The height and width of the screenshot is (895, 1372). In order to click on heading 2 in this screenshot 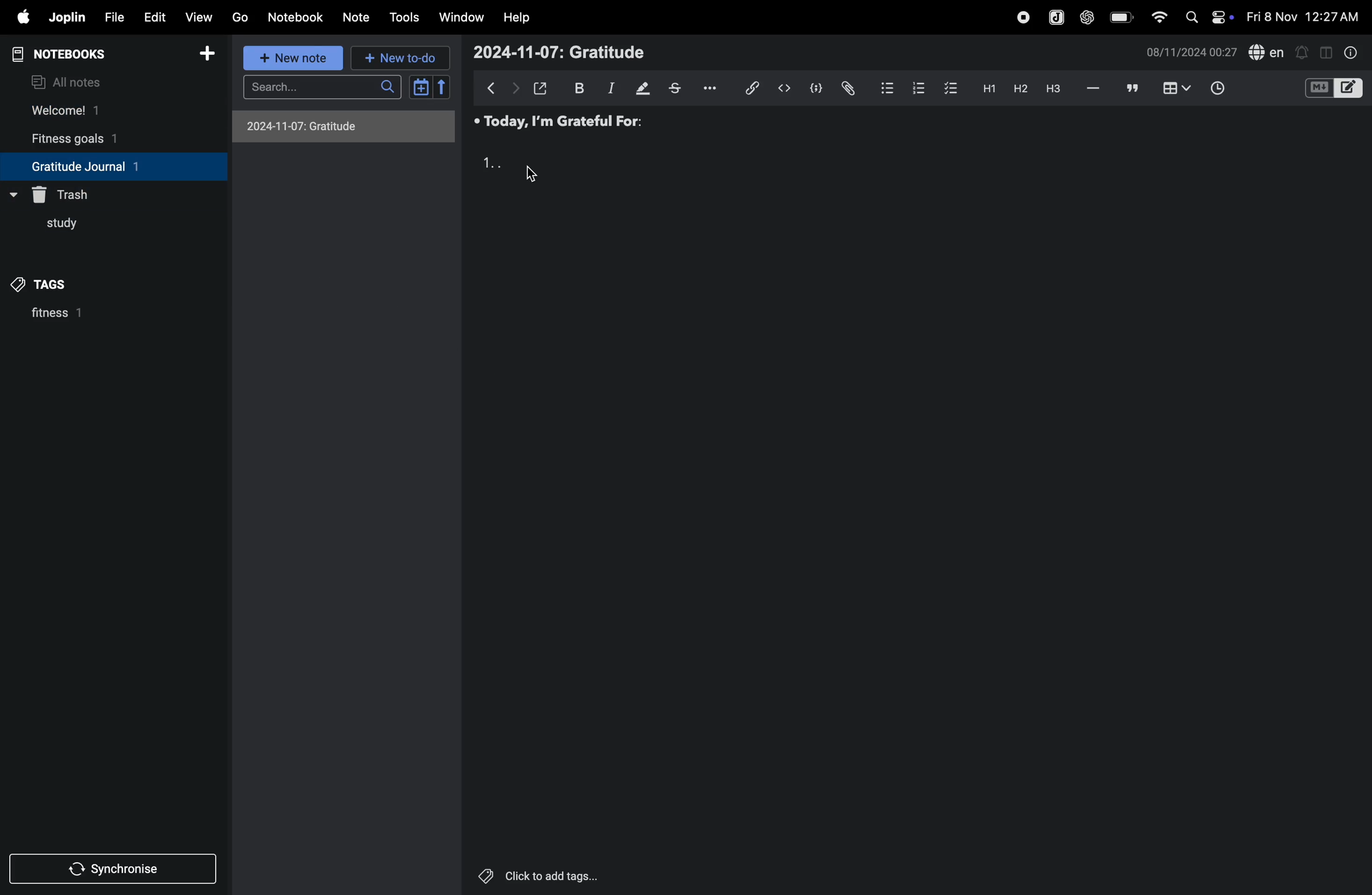, I will do `click(1017, 89)`.